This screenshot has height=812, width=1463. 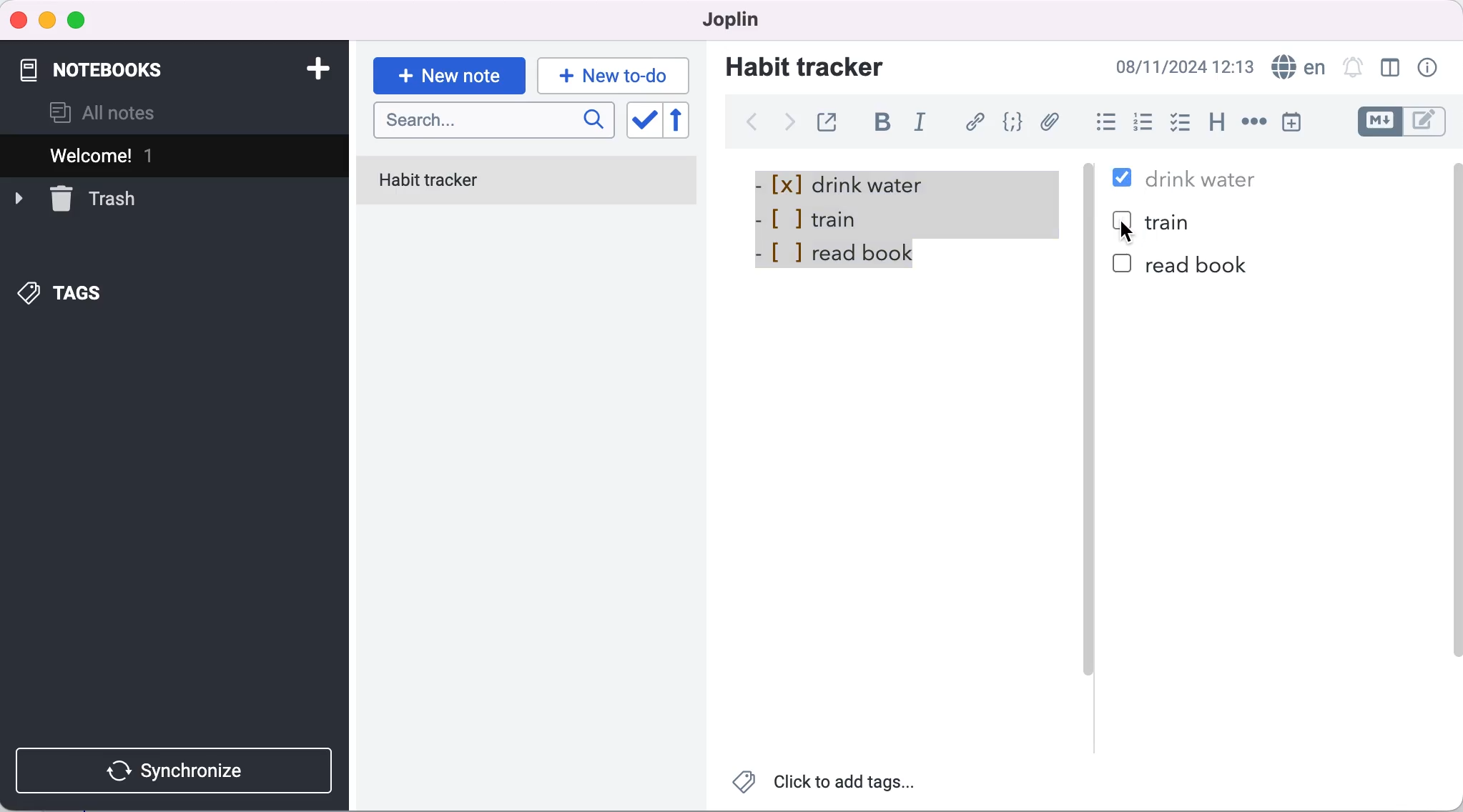 What do you see at coordinates (527, 182) in the screenshot?
I see `habit tracker` at bounding box center [527, 182].